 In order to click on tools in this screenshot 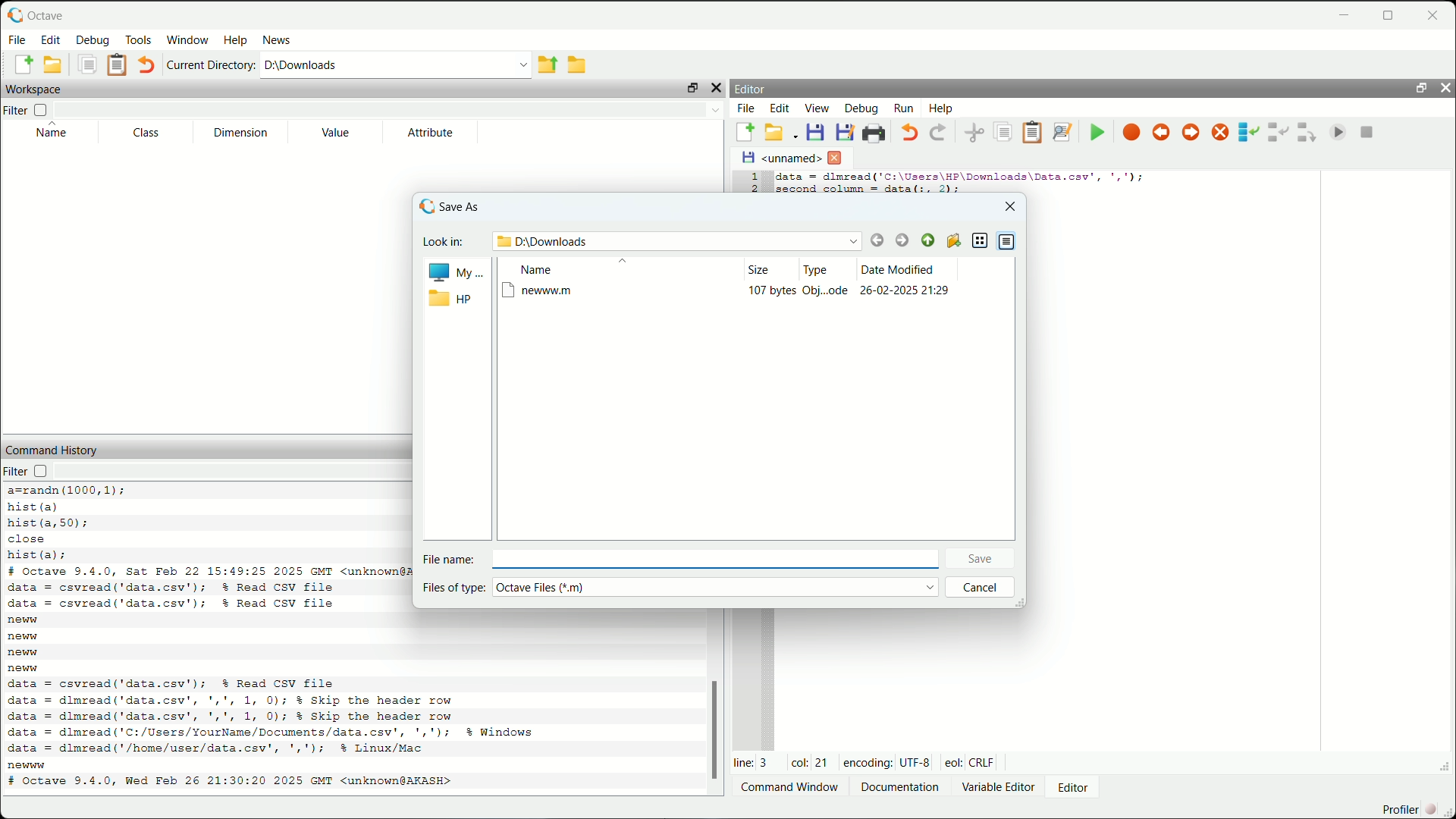, I will do `click(140, 39)`.